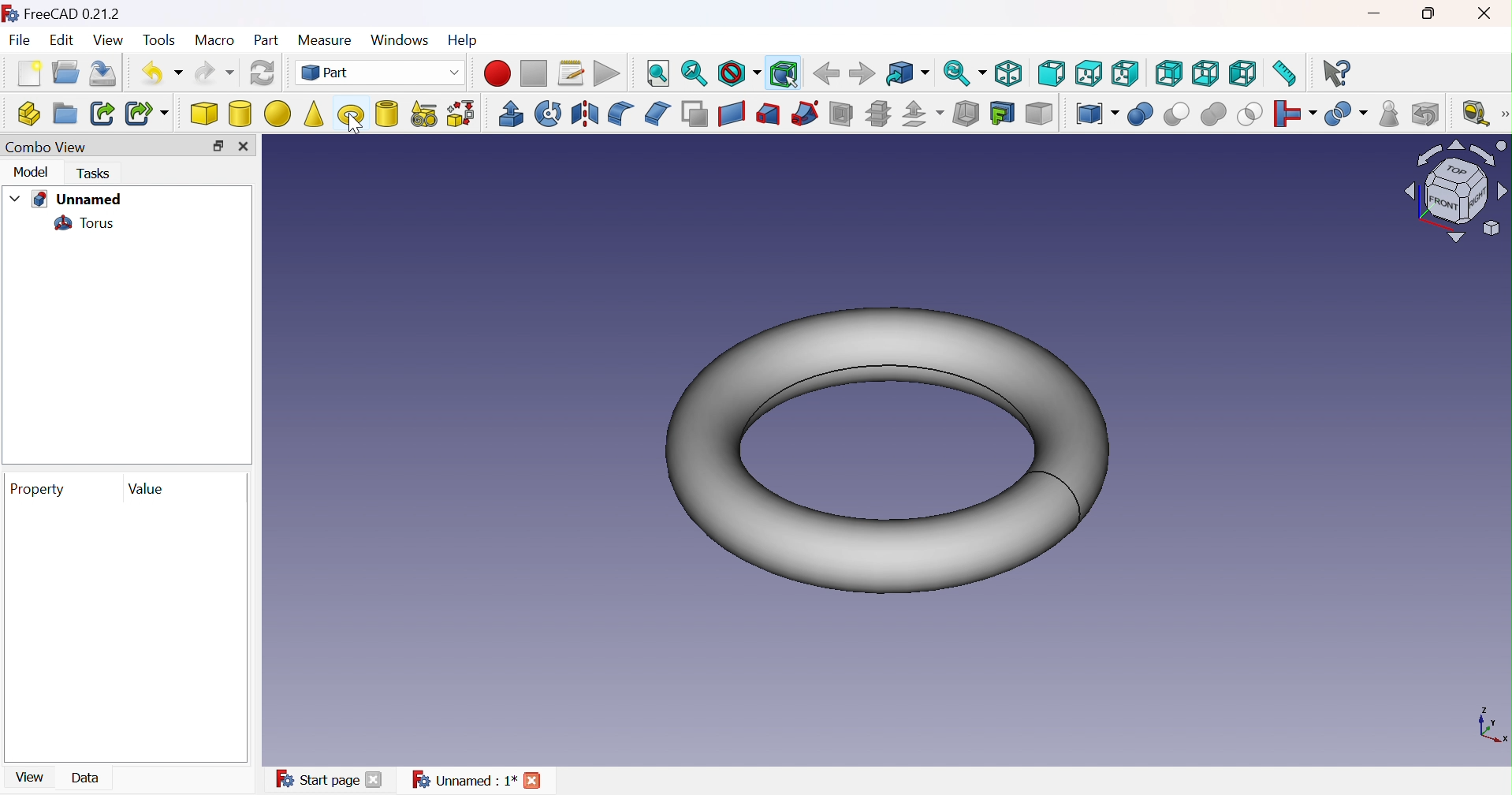 The image size is (1512, 795). What do you see at coordinates (109, 41) in the screenshot?
I see `View` at bounding box center [109, 41].